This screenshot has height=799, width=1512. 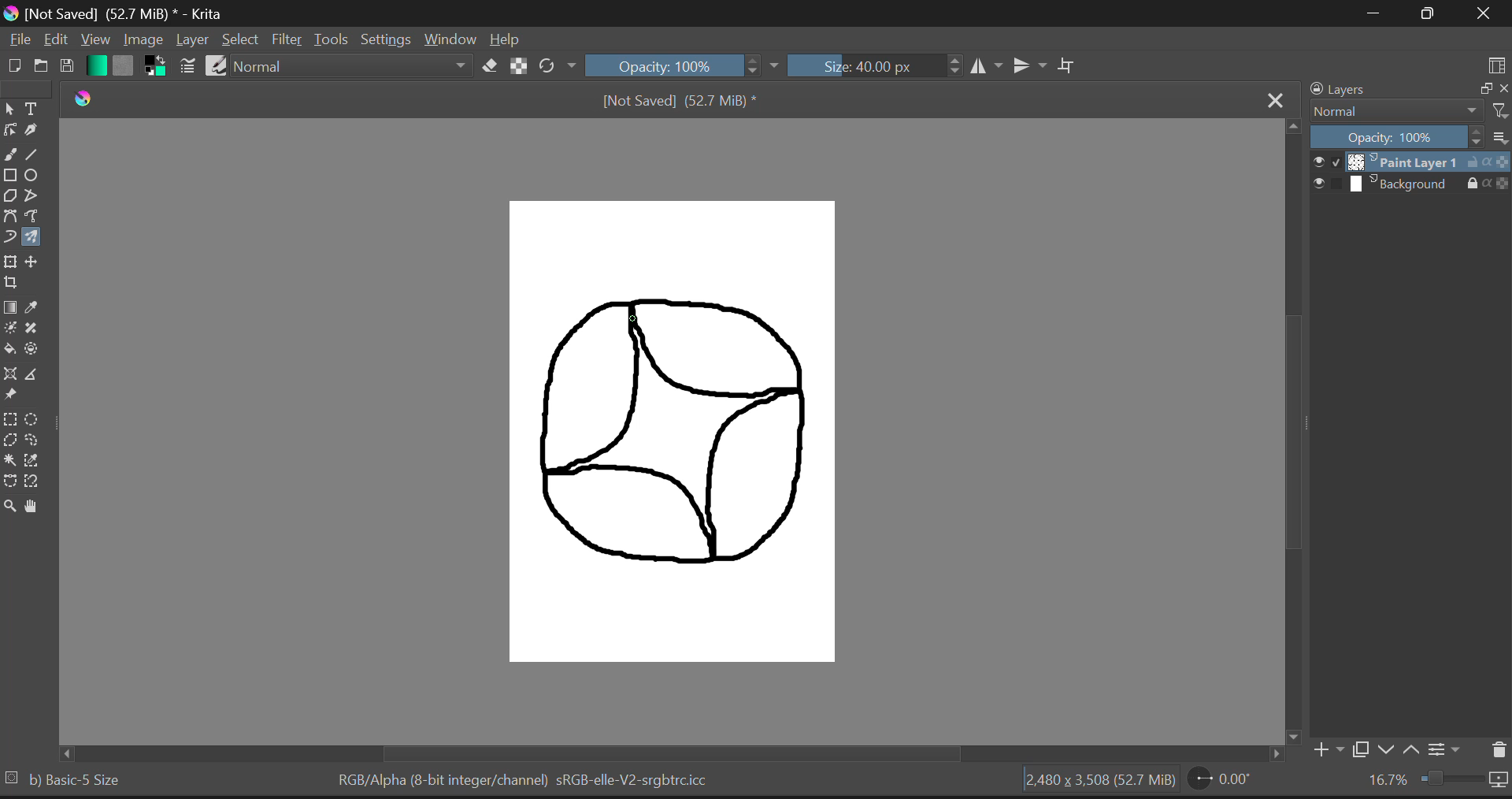 What do you see at coordinates (1275, 754) in the screenshot?
I see `` at bounding box center [1275, 754].